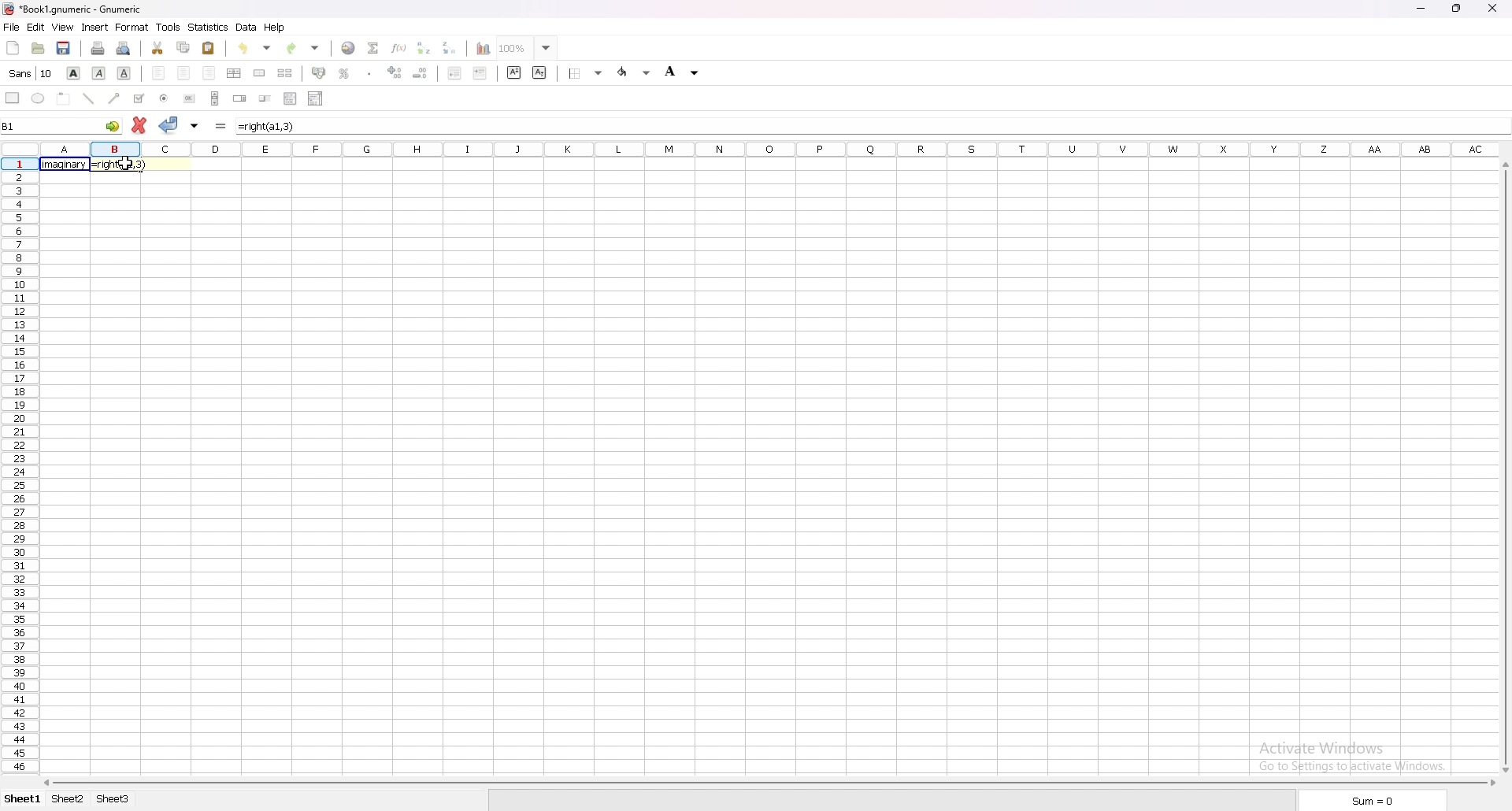 The image size is (1512, 811). What do you see at coordinates (1504, 465) in the screenshot?
I see `scroll bar` at bounding box center [1504, 465].